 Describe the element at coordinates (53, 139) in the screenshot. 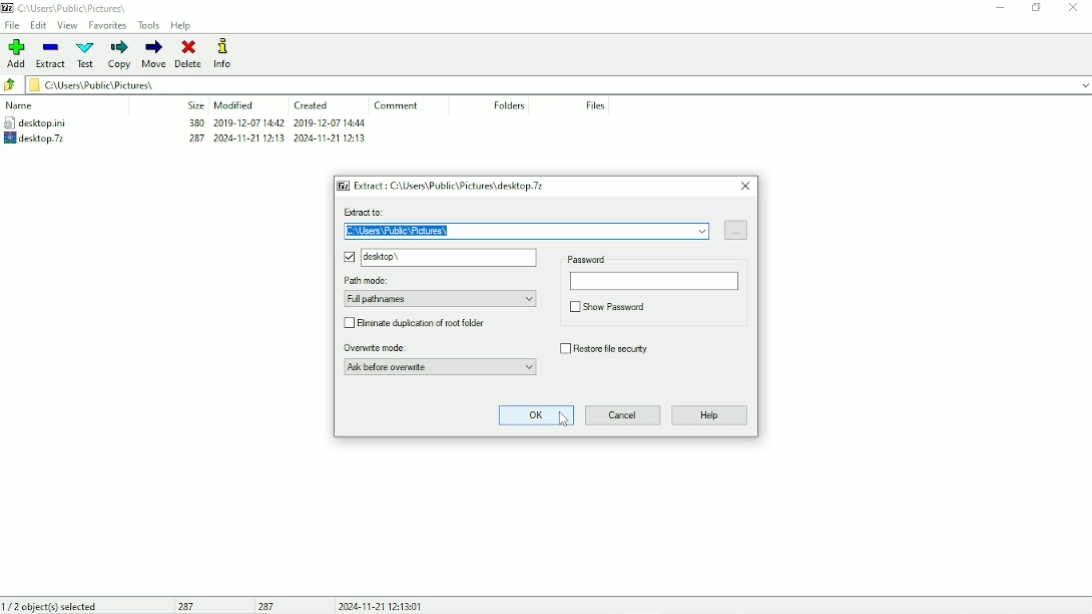

I see `desktop.7z` at that location.